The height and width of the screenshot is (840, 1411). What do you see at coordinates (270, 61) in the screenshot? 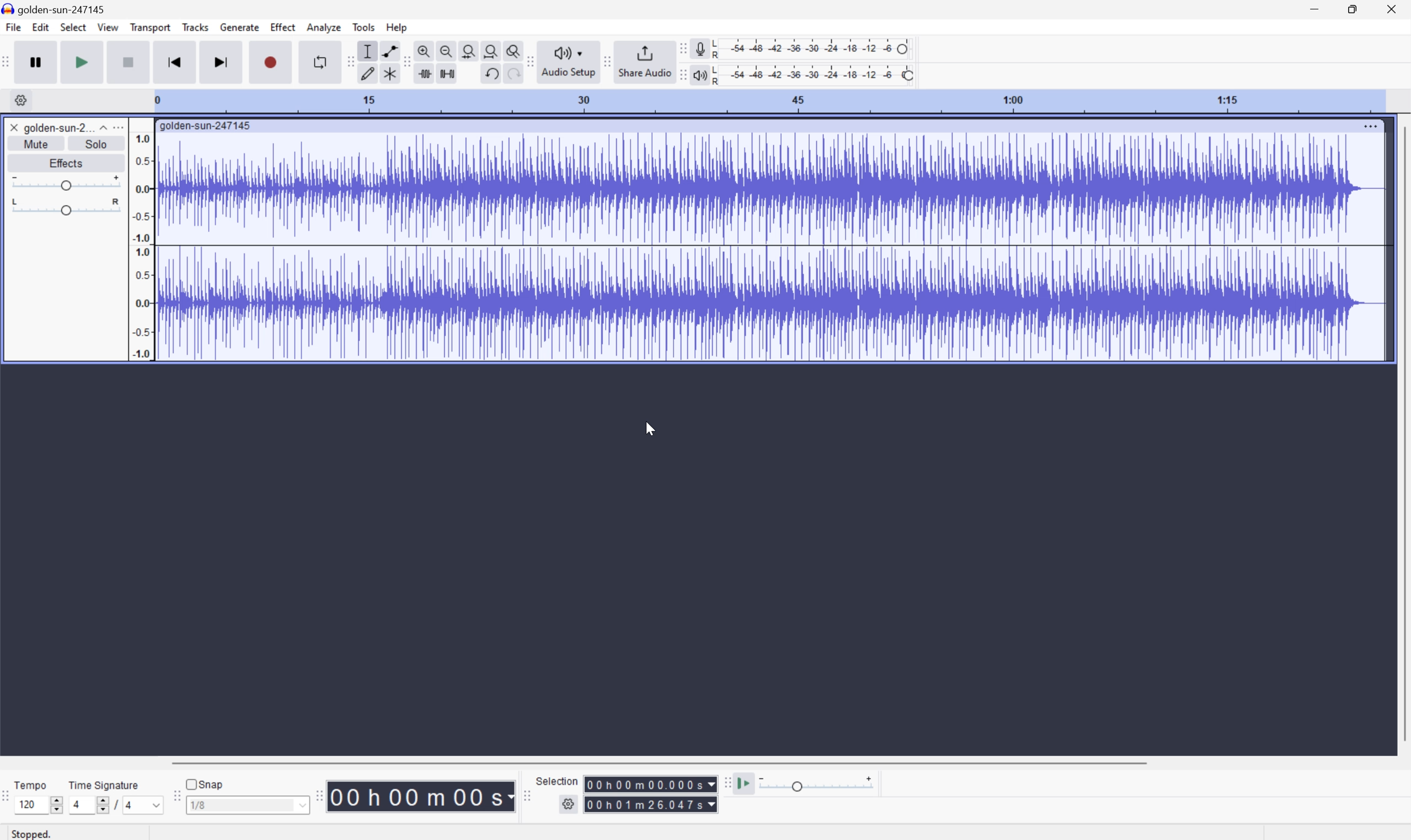
I see `Record / Record new track` at bounding box center [270, 61].